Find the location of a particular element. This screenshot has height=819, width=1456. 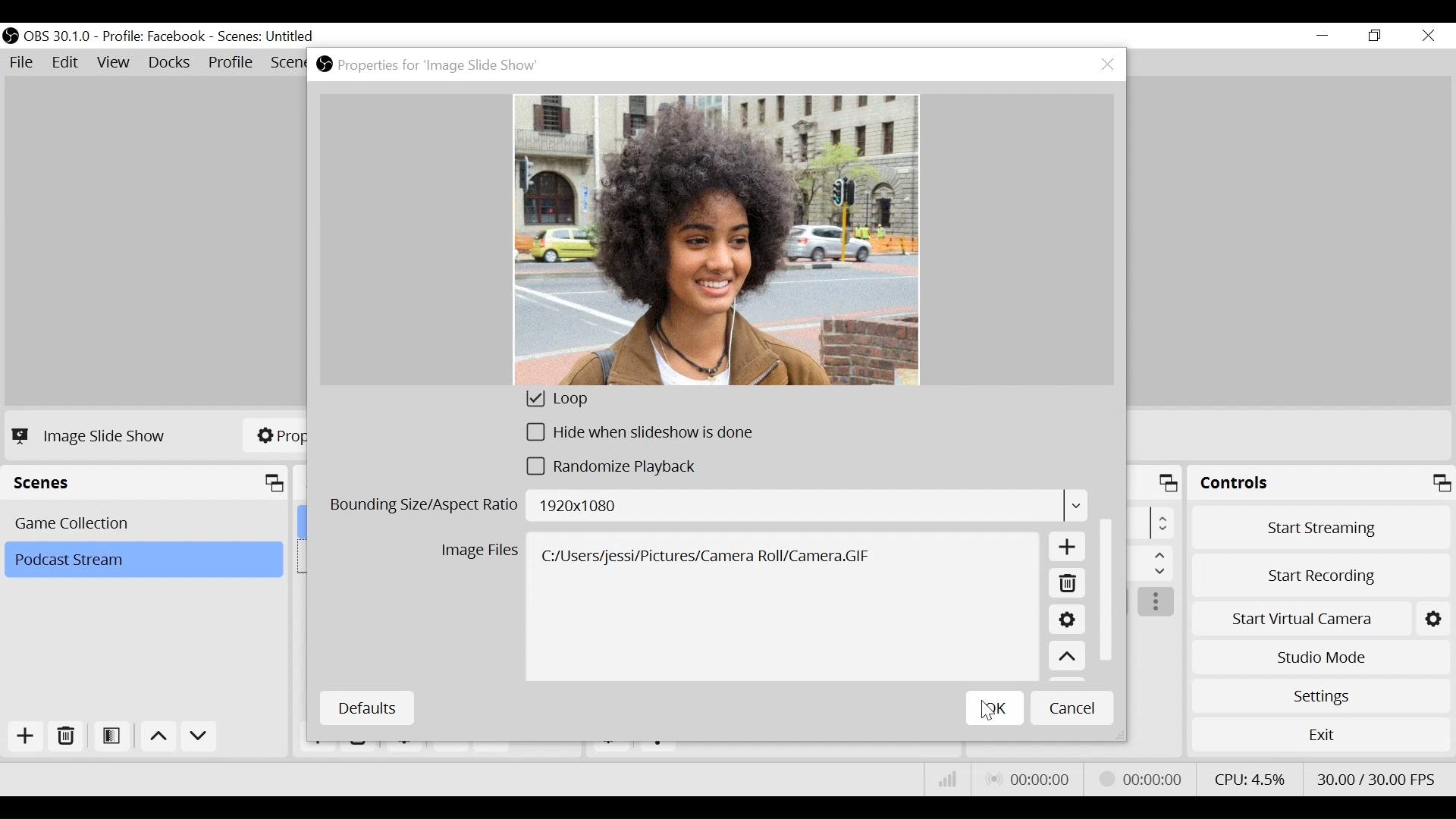

OBS Version is located at coordinates (60, 36).